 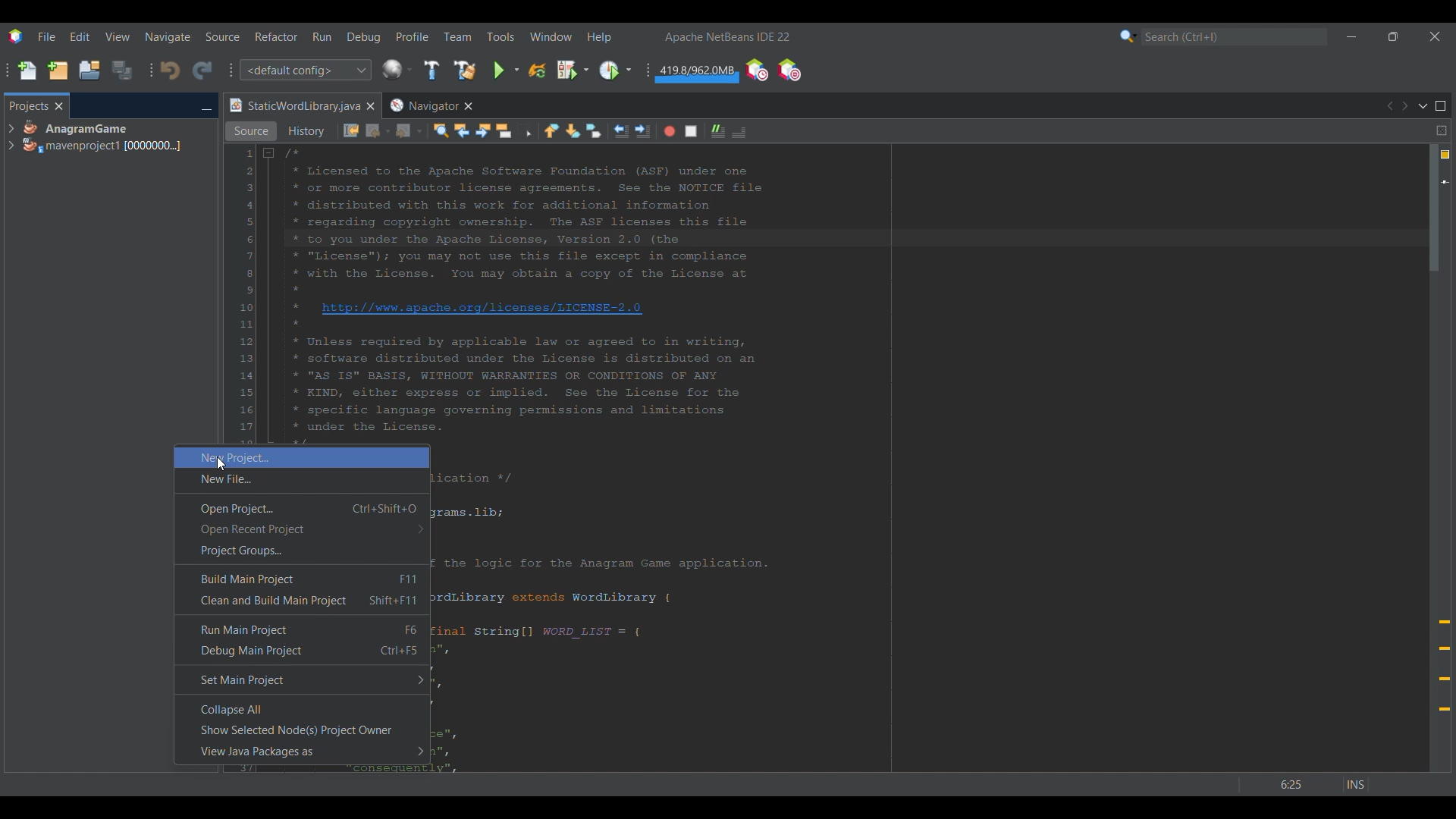 I want to click on Toggle rectangular selection, so click(x=525, y=130).